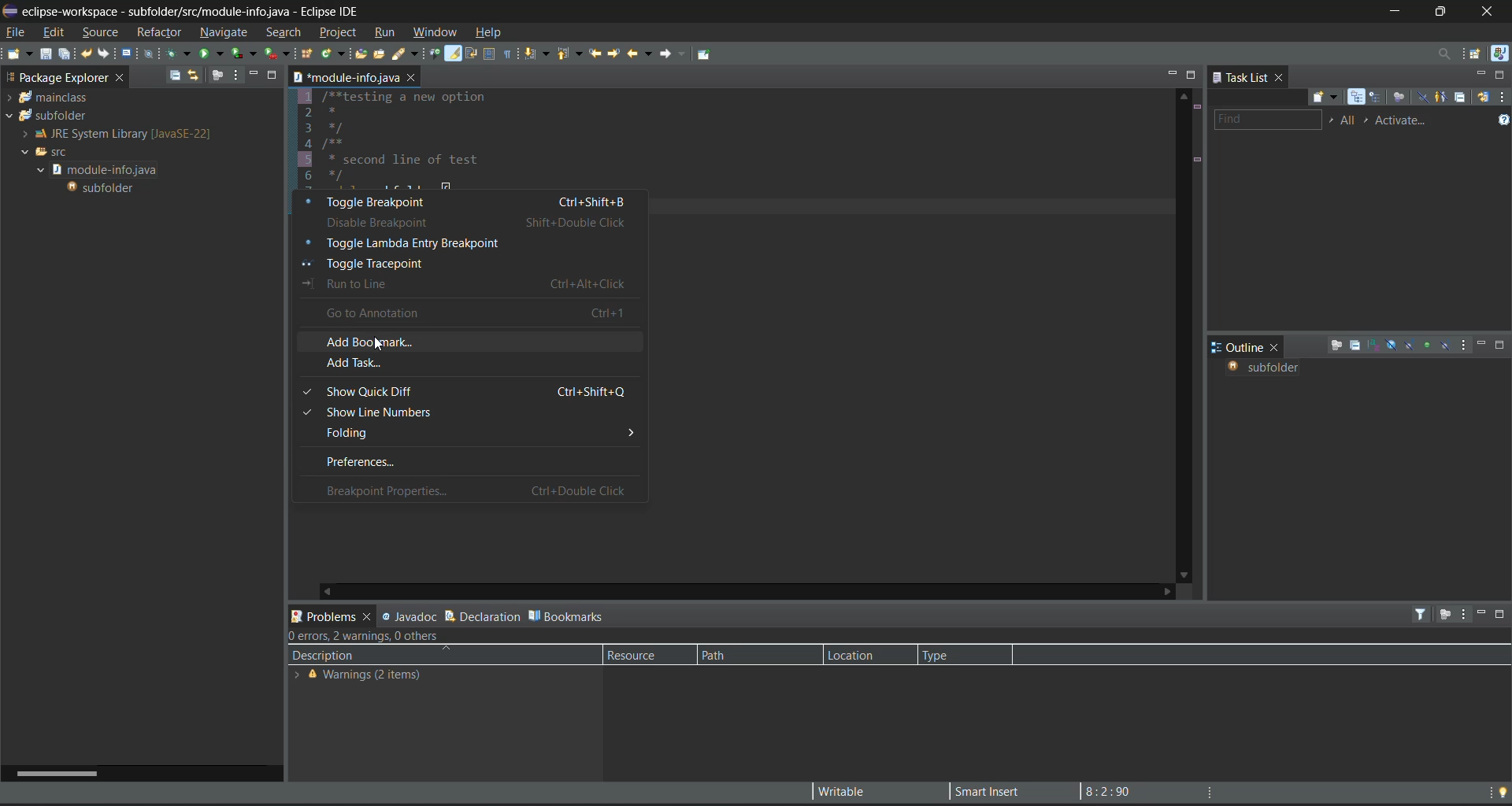 The height and width of the screenshot is (806, 1512). I want to click on new task, so click(1327, 98).